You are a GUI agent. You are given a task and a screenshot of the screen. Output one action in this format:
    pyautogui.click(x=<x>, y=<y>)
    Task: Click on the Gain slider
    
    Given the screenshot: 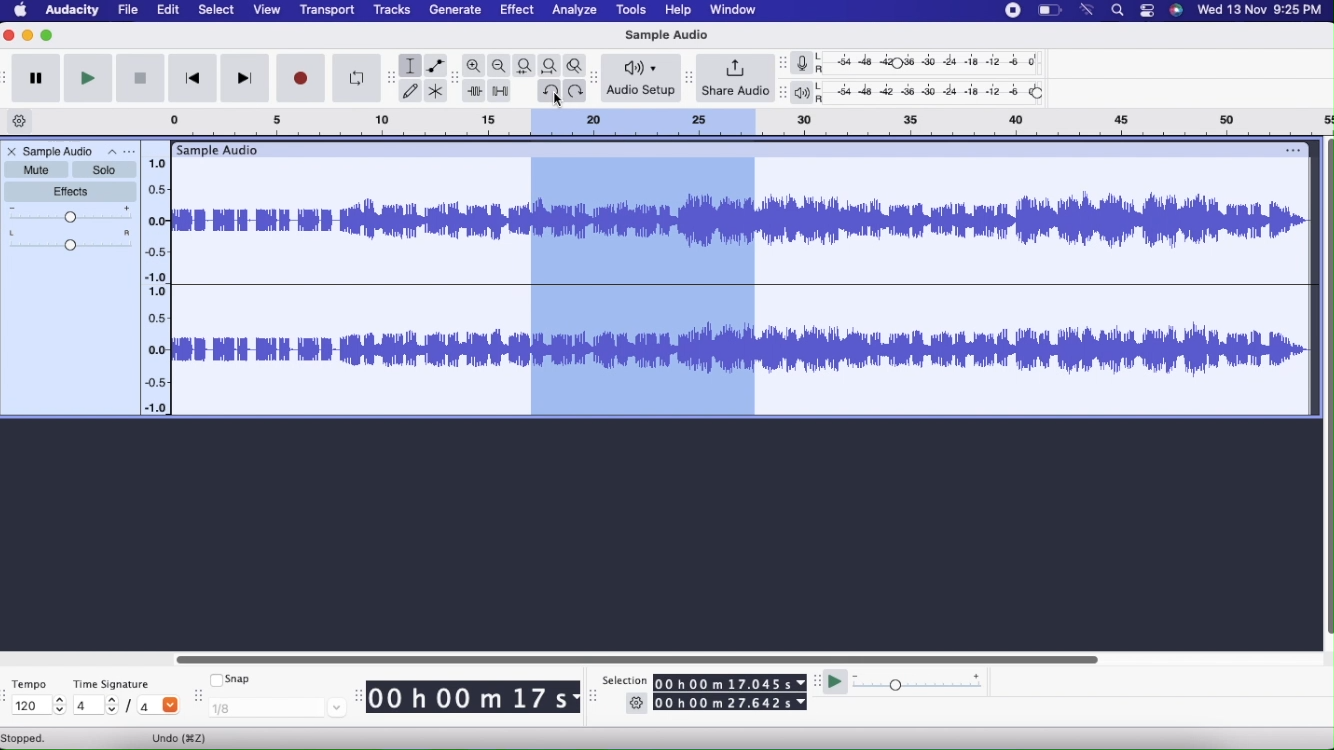 What is the action you would take?
    pyautogui.click(x=69, y=215)
    